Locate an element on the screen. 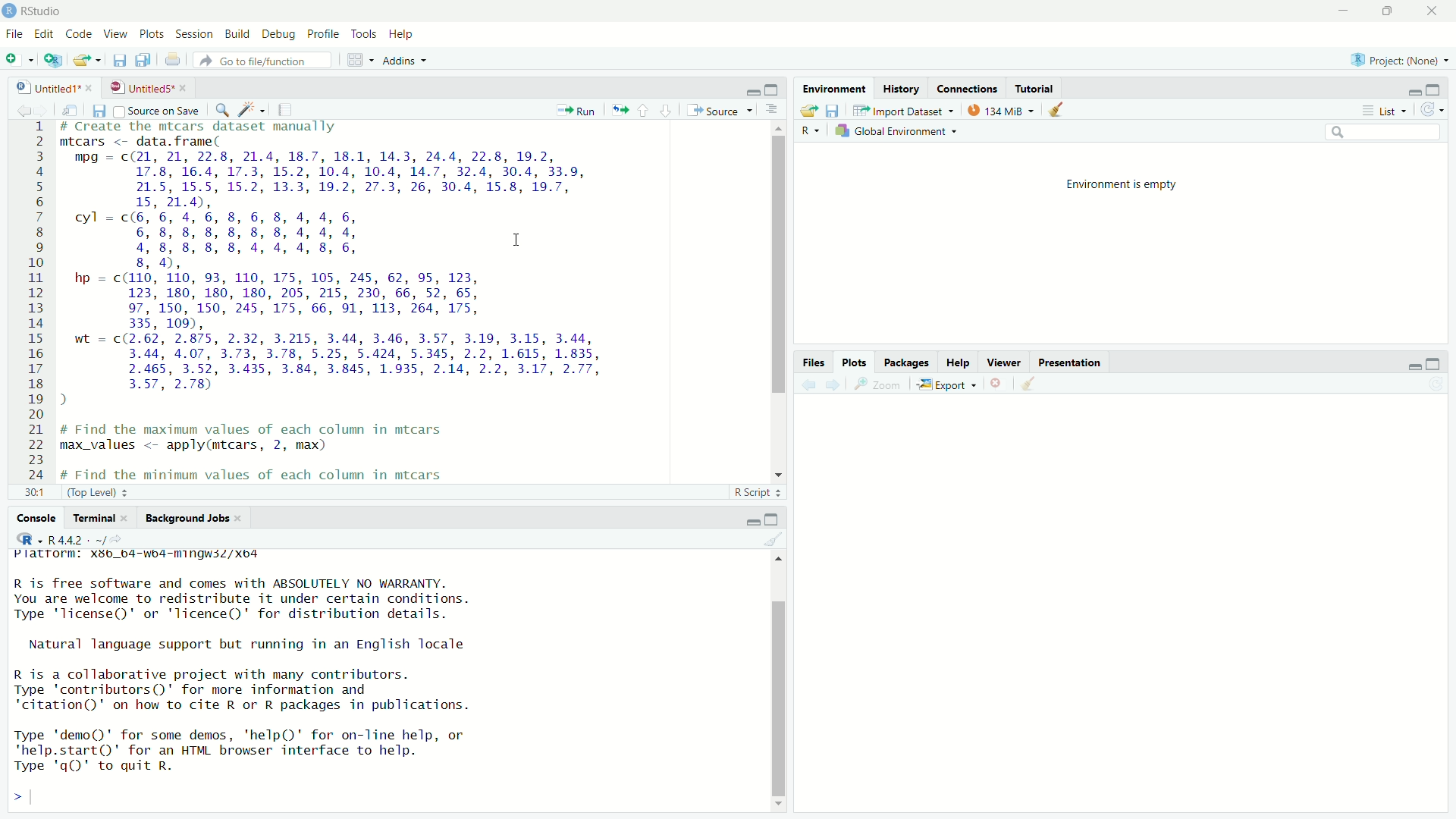  maximise is located at coordinates (1435, 89).